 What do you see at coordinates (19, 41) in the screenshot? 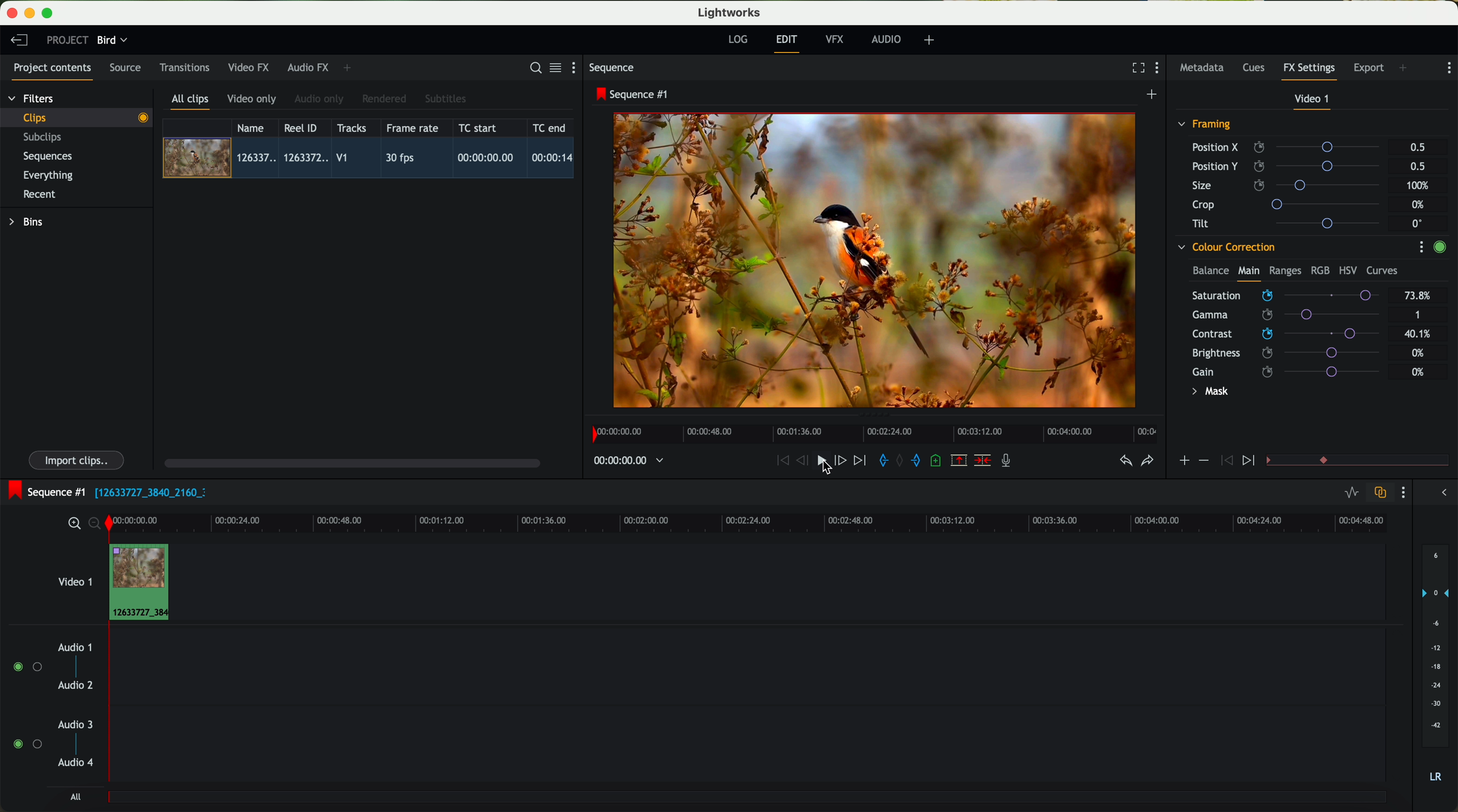
I see `leave` at bounding box center [19, 41].